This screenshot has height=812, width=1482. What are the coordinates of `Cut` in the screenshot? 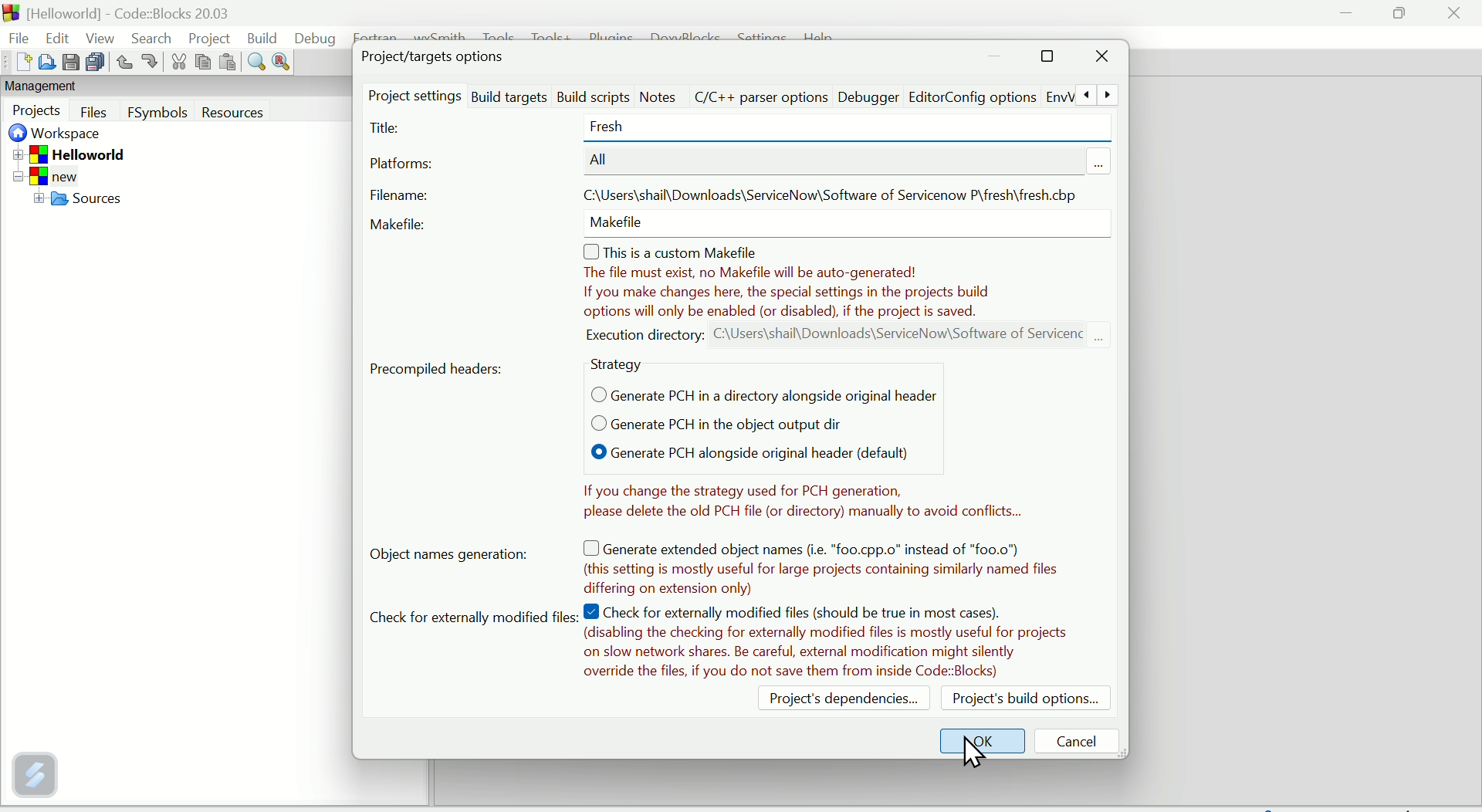 It's located at (175, 64).